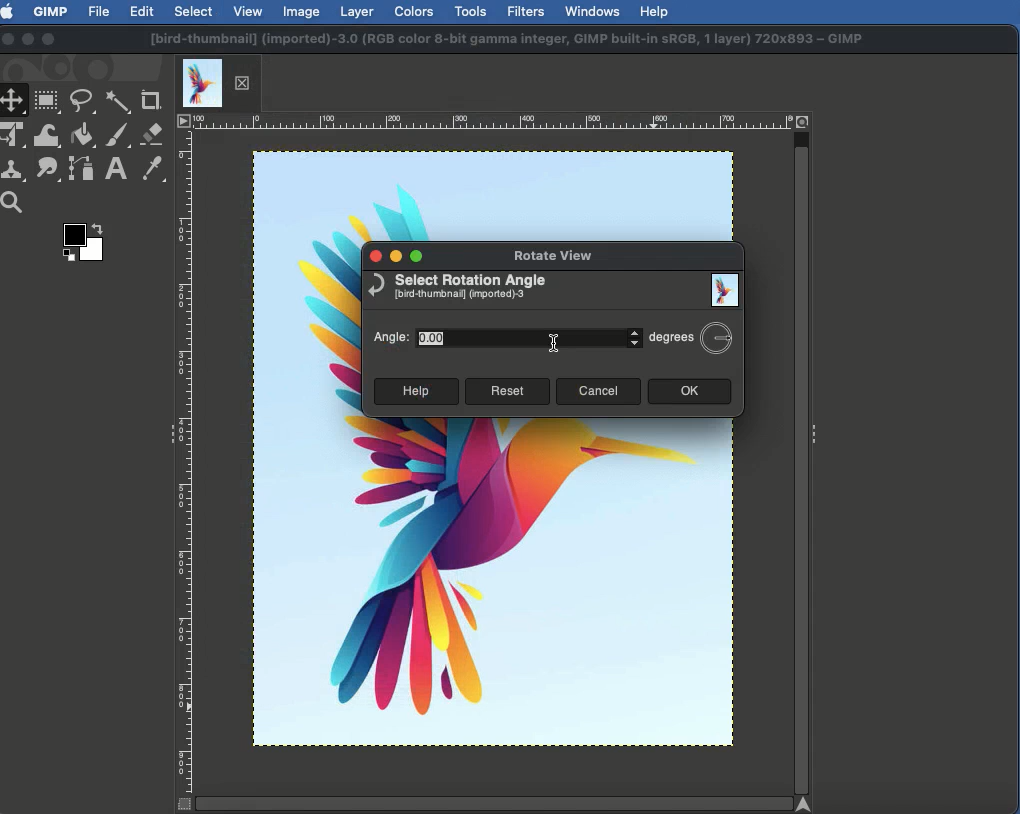 Image resolution: width=1020 pixels, height=814 pixels. I want to click on Windows, so click(591, 11).